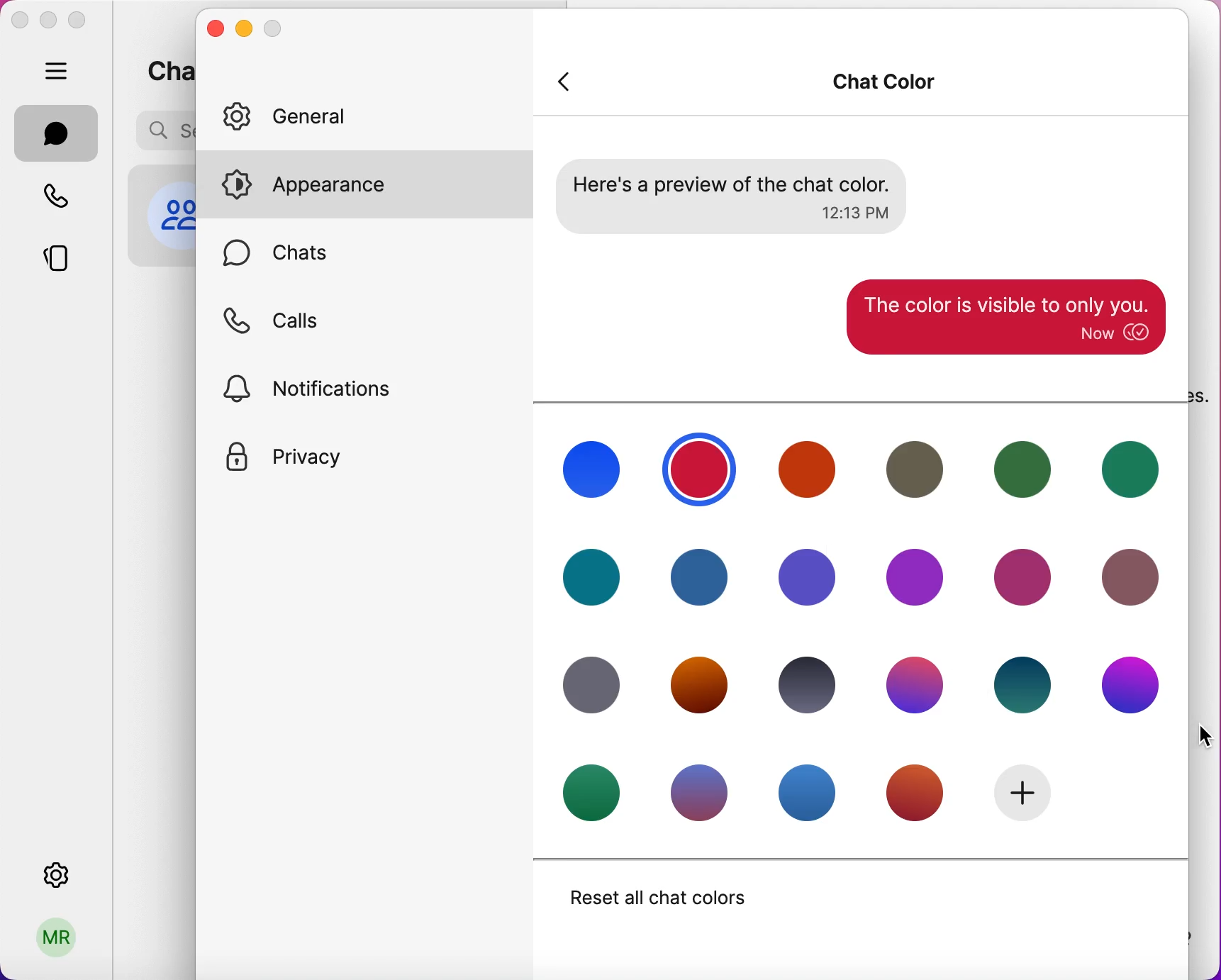 This screenshot has width=1221, height=980. What do you see at coordinates (754, 794) in the screenshot?
I see `chat colors` at bounding box center [754, 794].